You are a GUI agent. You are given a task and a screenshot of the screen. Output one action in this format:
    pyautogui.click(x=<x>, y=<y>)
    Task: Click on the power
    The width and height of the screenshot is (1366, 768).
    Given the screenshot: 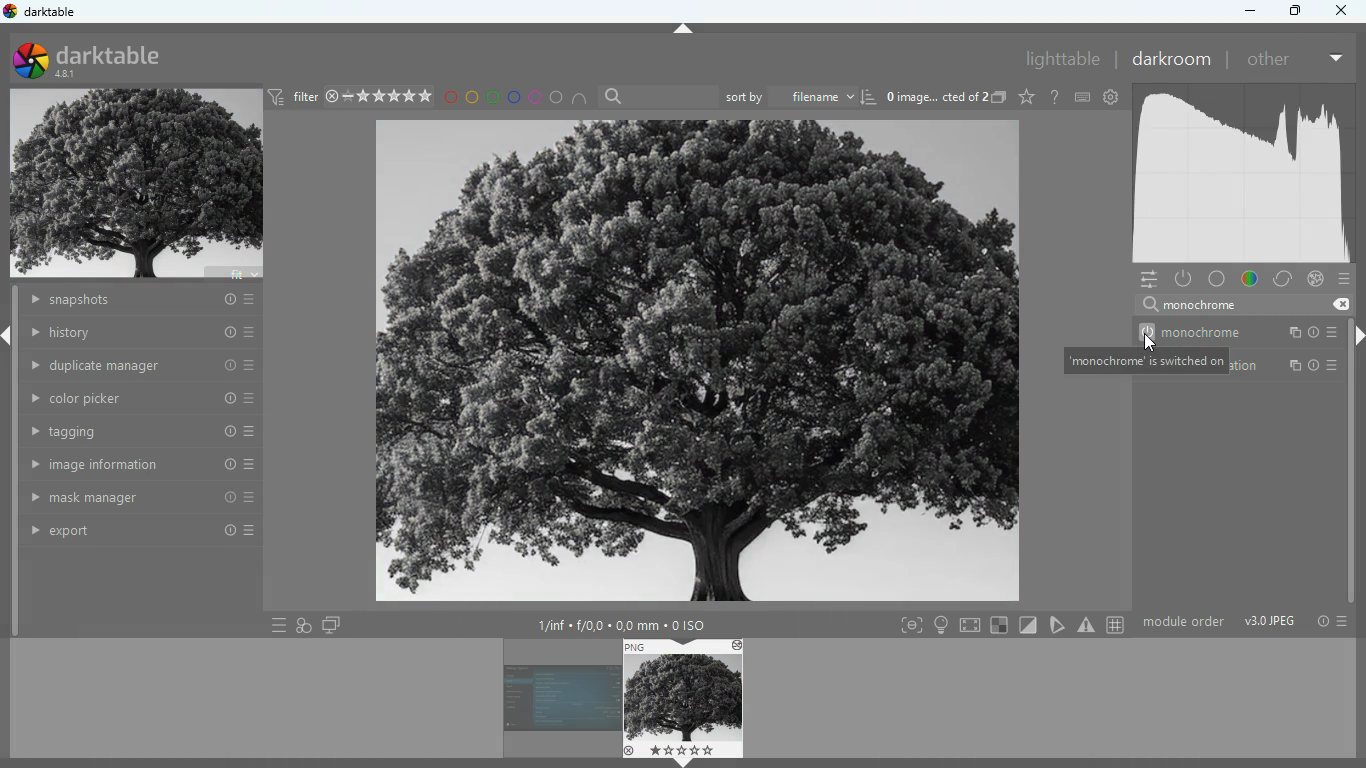 What is the action you would take?
    pyautogui.click(x=1183, y=278)
    